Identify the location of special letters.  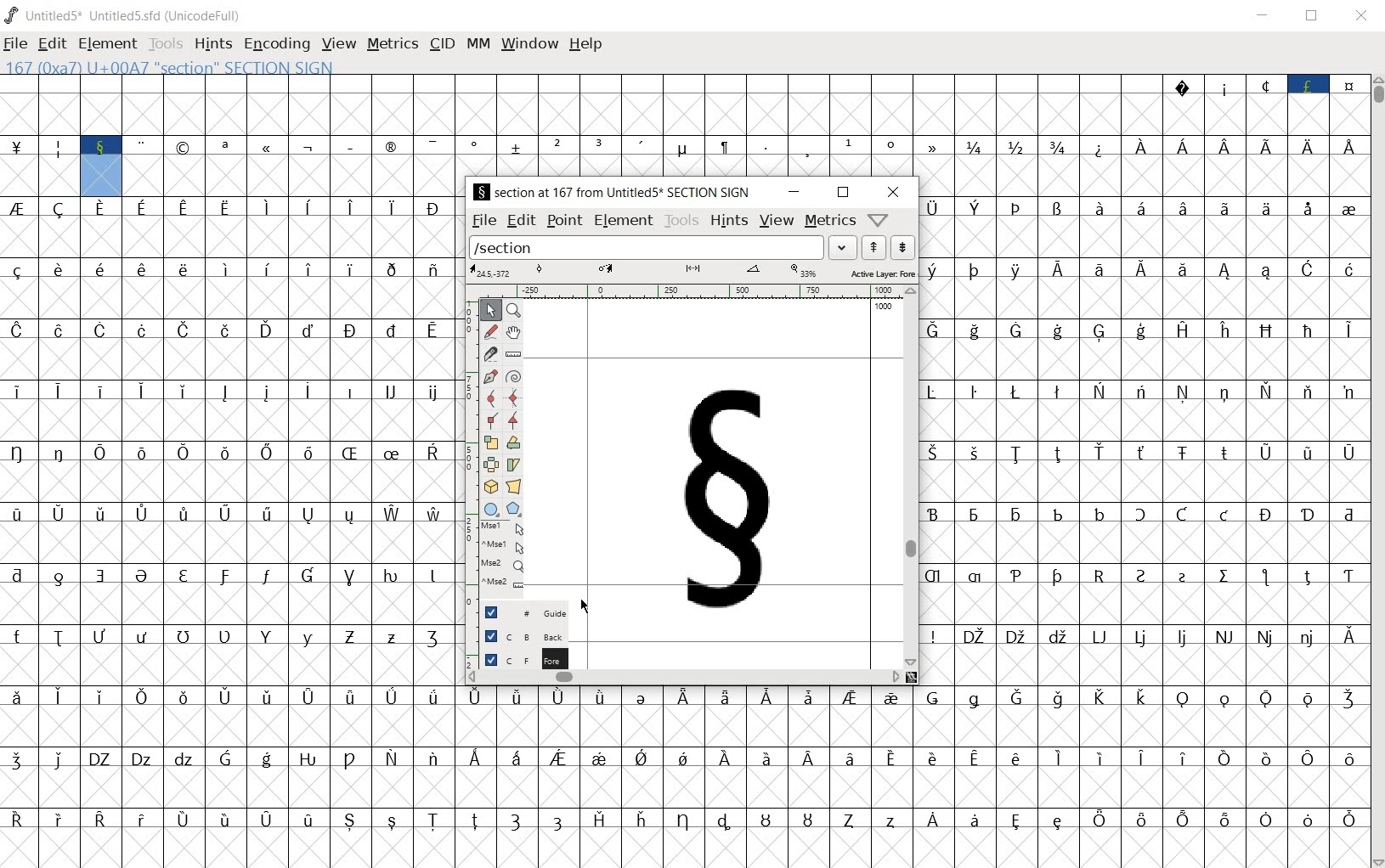
(231, 573).